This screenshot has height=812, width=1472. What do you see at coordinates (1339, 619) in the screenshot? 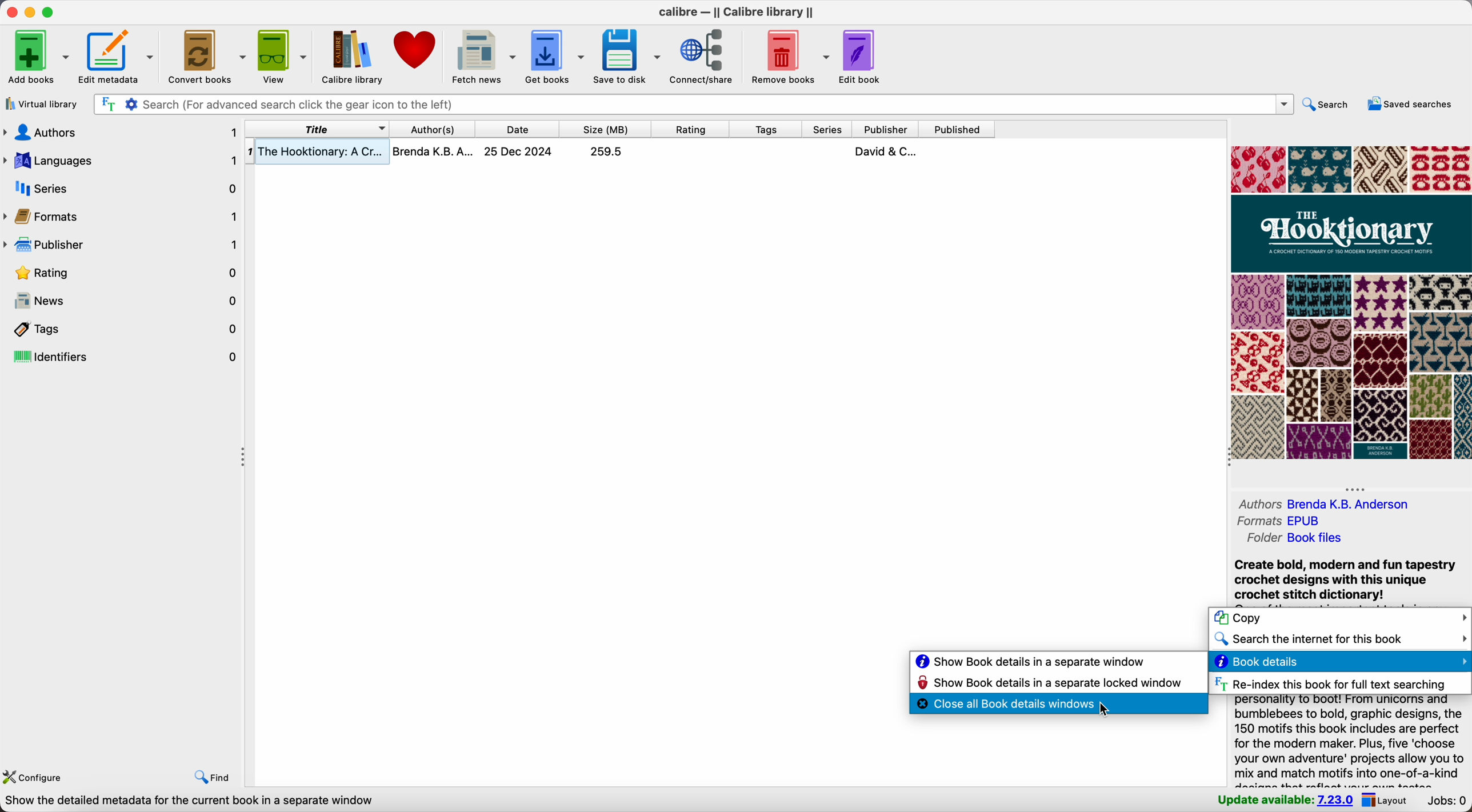
I see `copy` at bounding box center [1339, 619].